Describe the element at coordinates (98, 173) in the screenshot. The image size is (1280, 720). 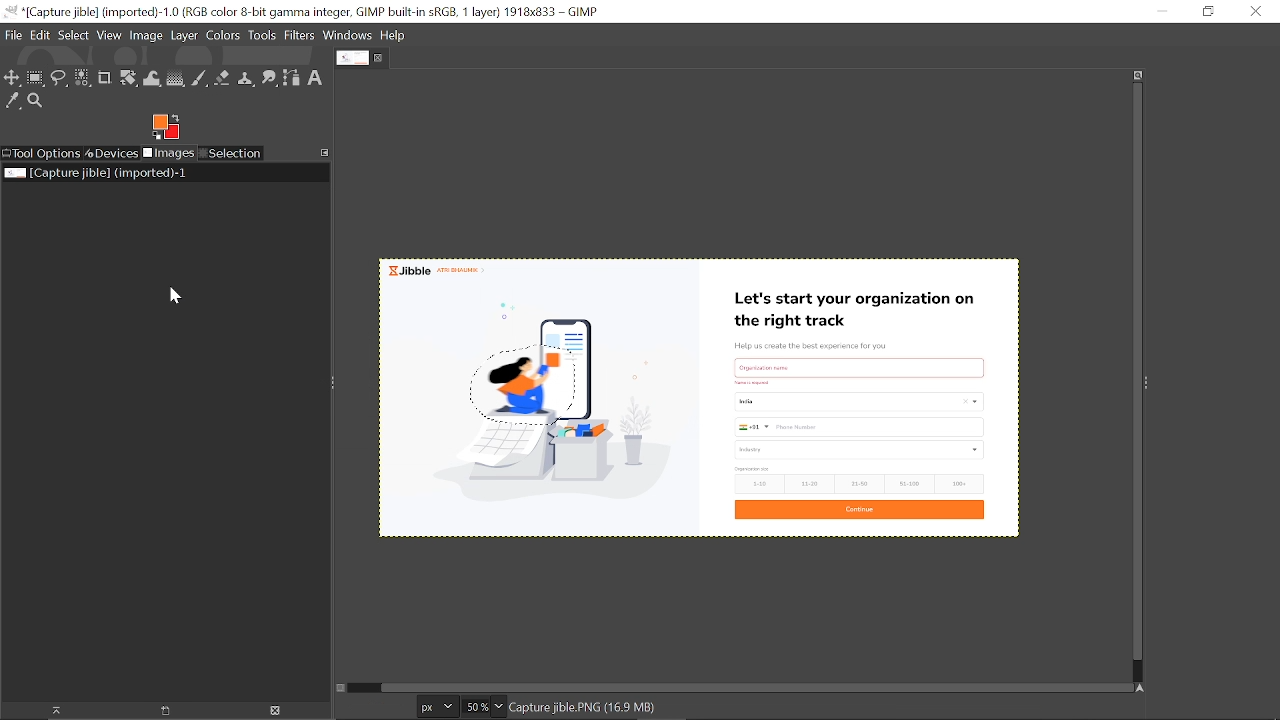
I see `Current image` at that location.